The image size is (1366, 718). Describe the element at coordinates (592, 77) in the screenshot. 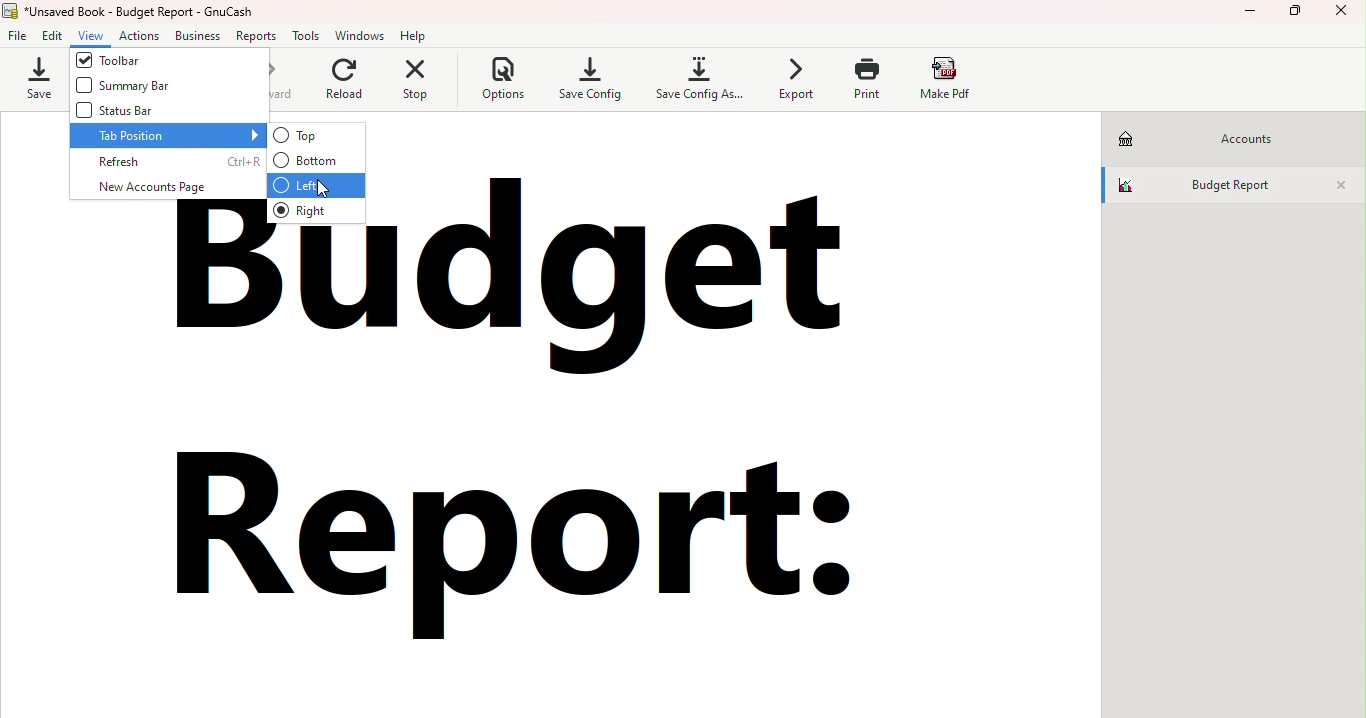

I see `Save config` at that location.